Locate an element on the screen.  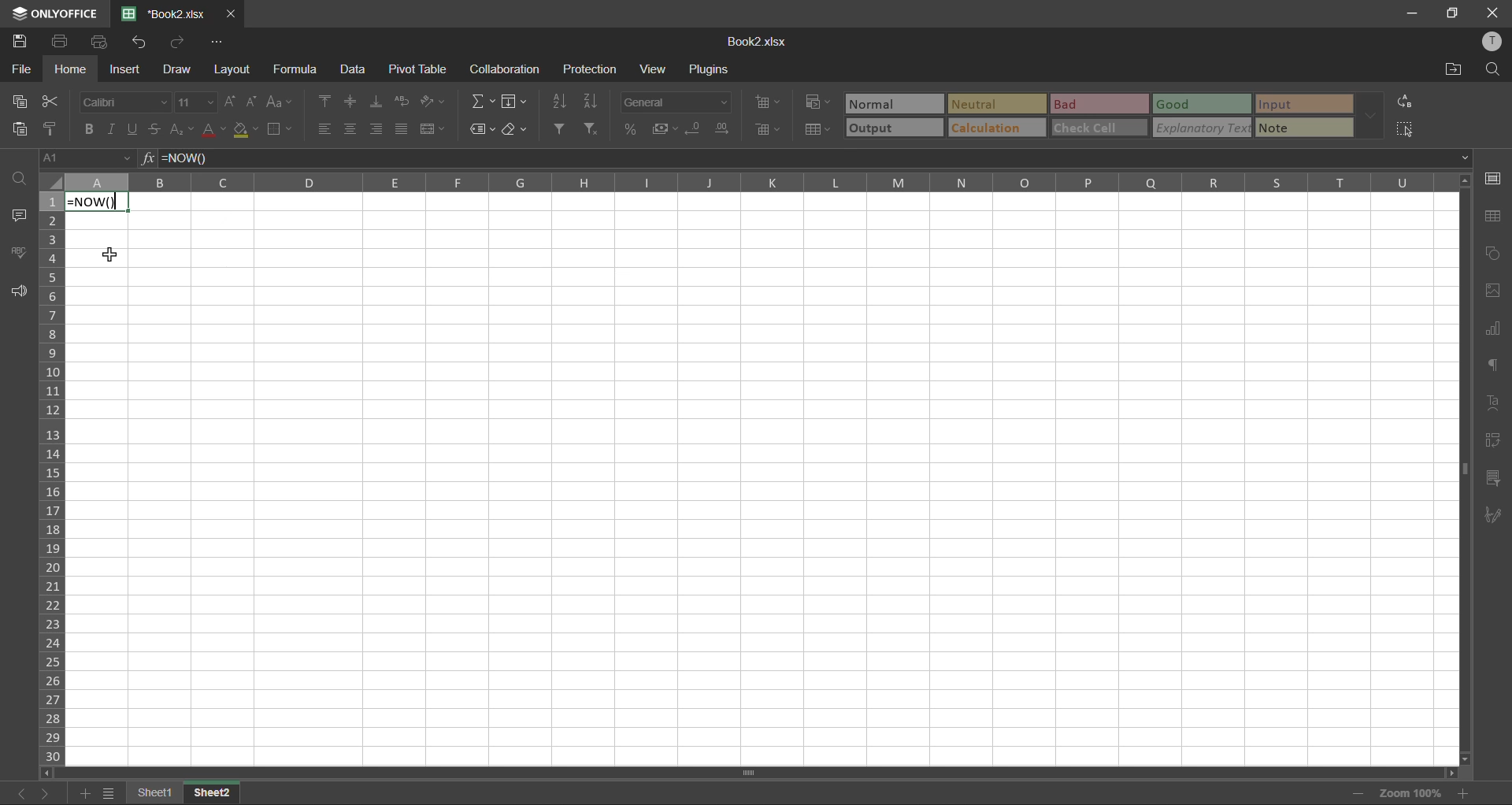
italic is located at coordinates (112, 129).